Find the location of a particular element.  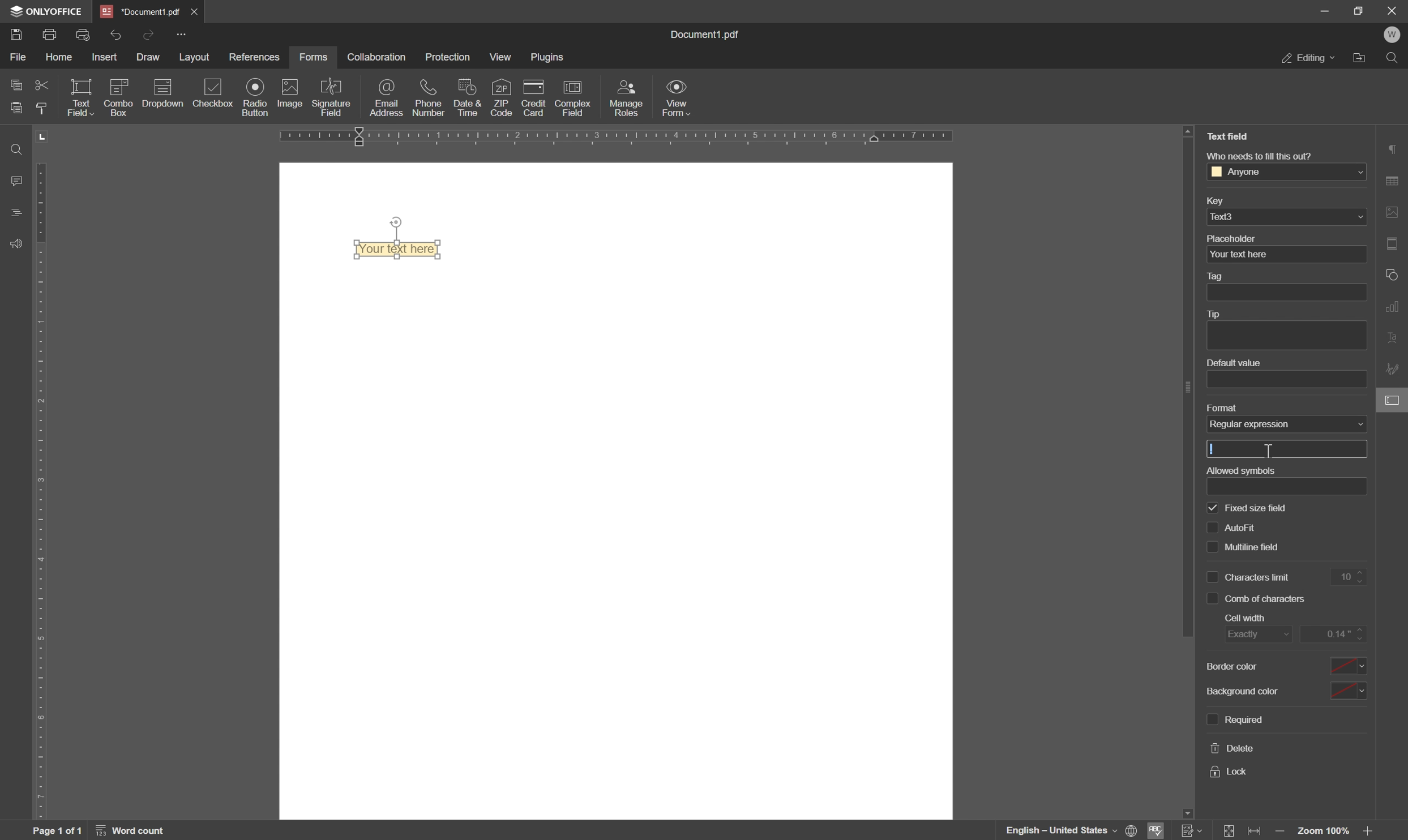

background color is located at coordinates (1249, 690).